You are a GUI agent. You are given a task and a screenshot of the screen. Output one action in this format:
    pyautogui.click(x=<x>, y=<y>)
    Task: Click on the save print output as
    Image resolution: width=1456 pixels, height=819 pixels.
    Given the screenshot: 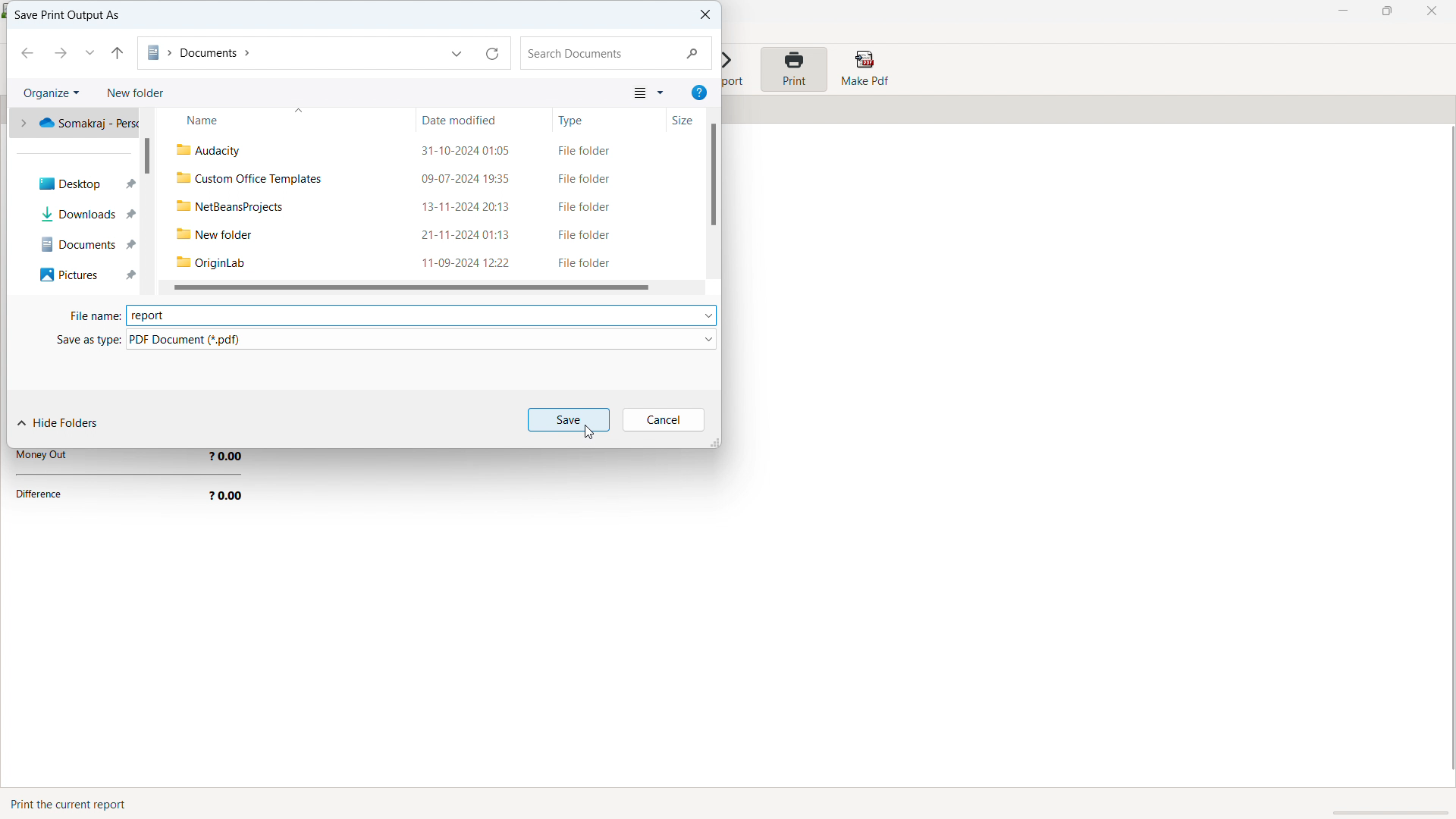 What is the action you would take?
    pyautogui.click(x=67, y=16)
    